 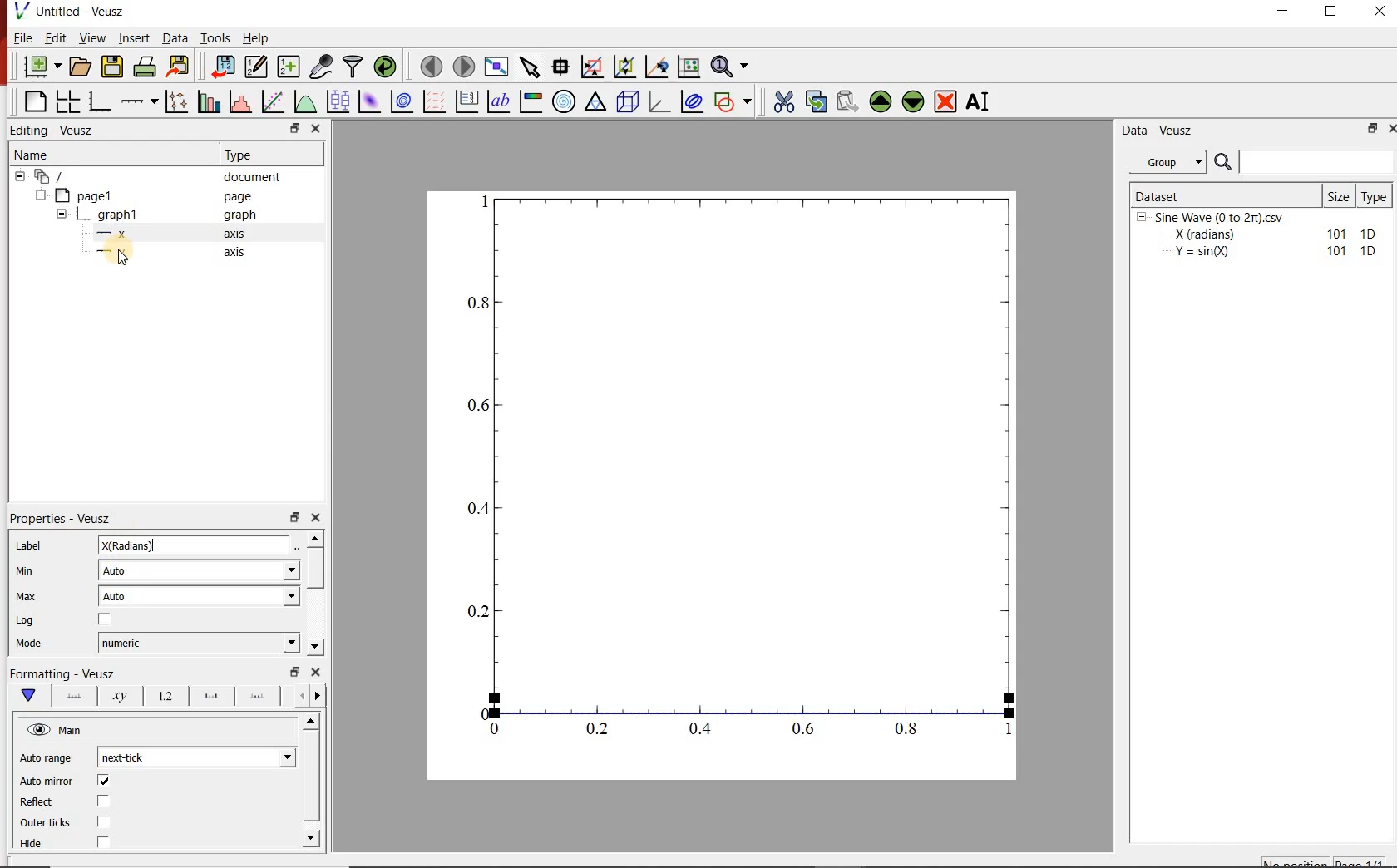 I want to click on add an axis, so click(x=139, y=101).